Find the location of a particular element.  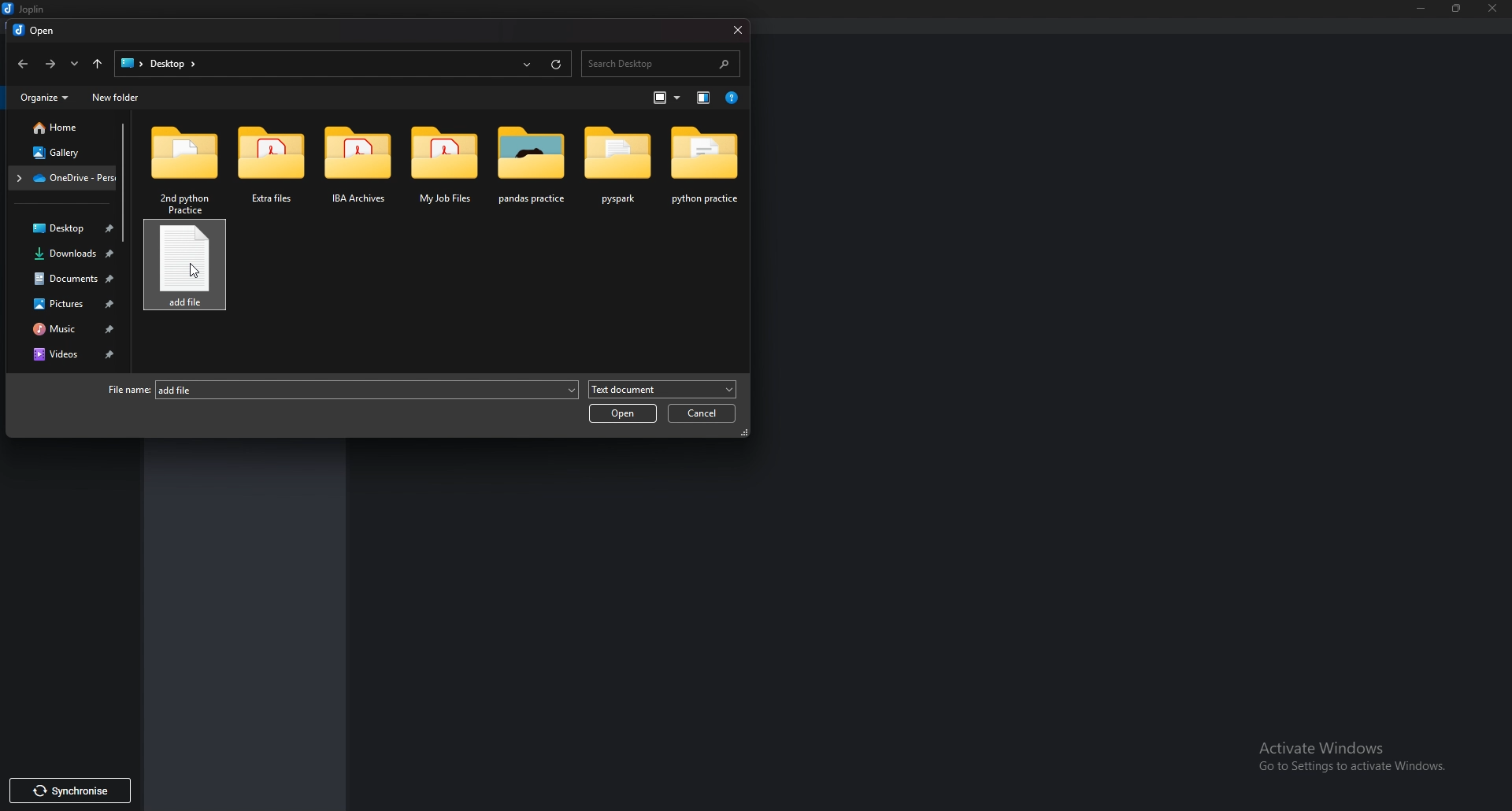

path is located at coordinates (160, 65).